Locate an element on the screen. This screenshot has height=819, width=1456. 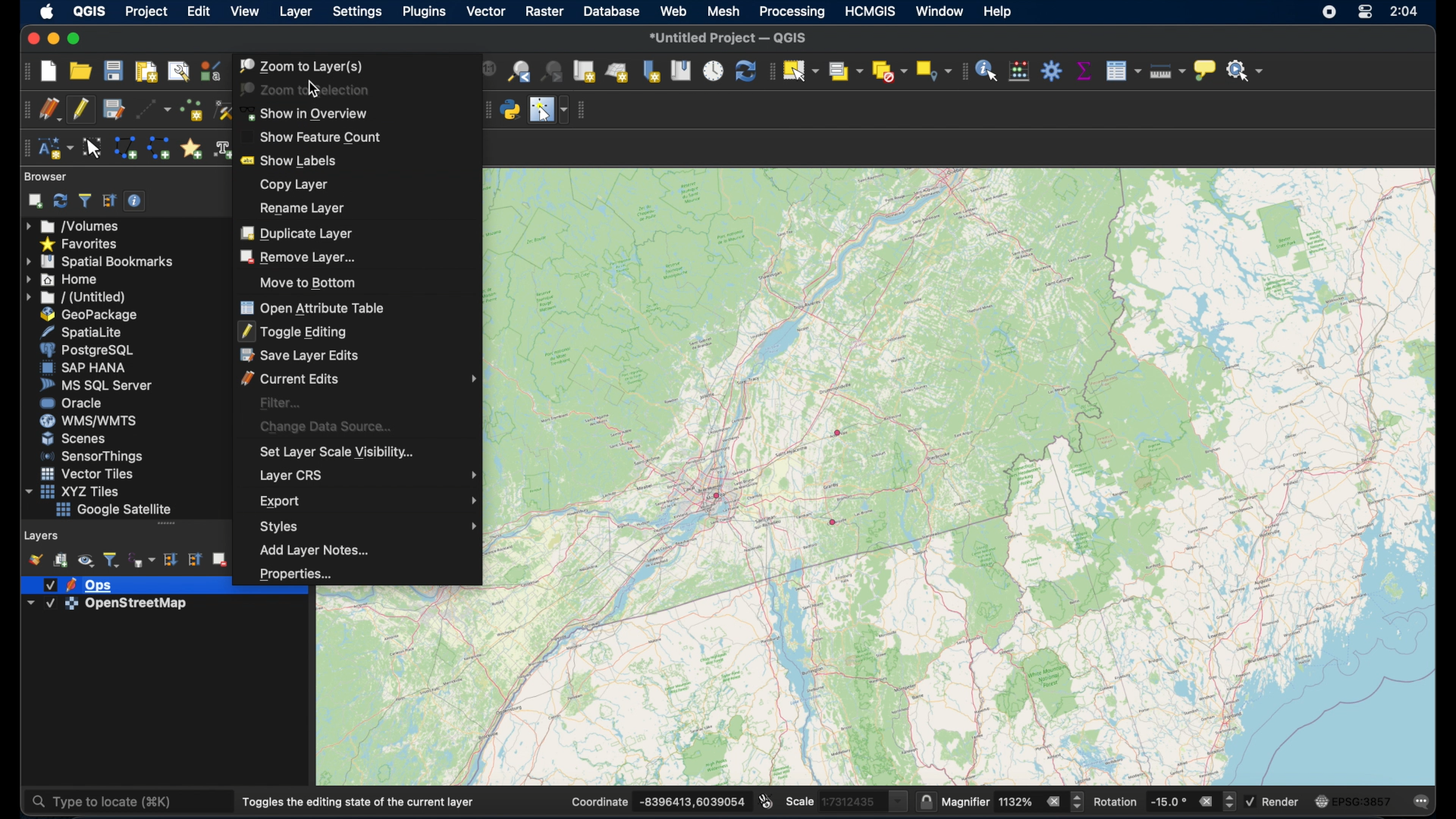
layer crs is located at coordinates (369, 475).